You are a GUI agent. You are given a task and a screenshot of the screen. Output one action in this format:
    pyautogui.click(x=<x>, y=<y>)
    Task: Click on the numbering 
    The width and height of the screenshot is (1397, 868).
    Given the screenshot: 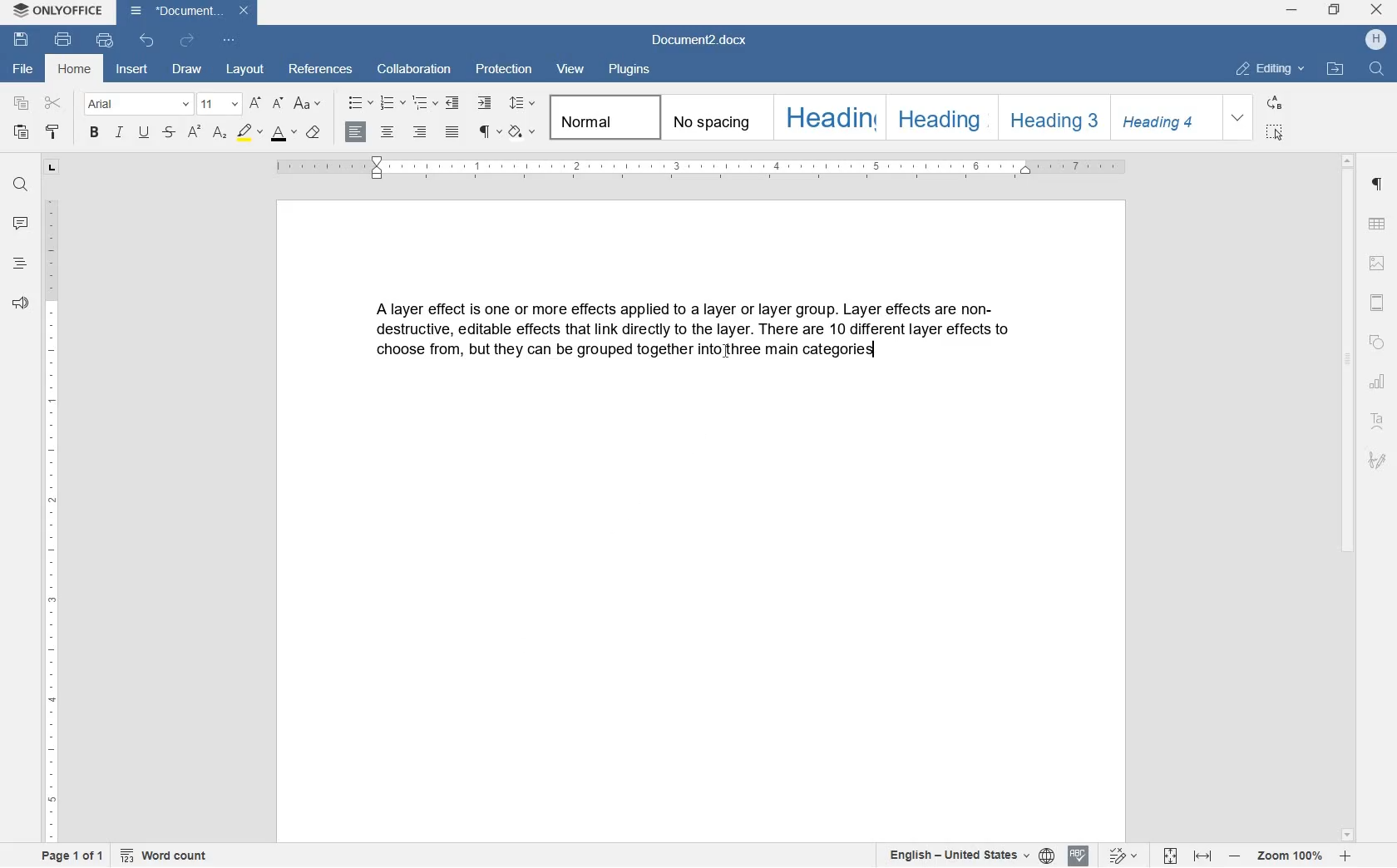 What is the action you would take?
    pyautogui.click(x=392, y=103)
    